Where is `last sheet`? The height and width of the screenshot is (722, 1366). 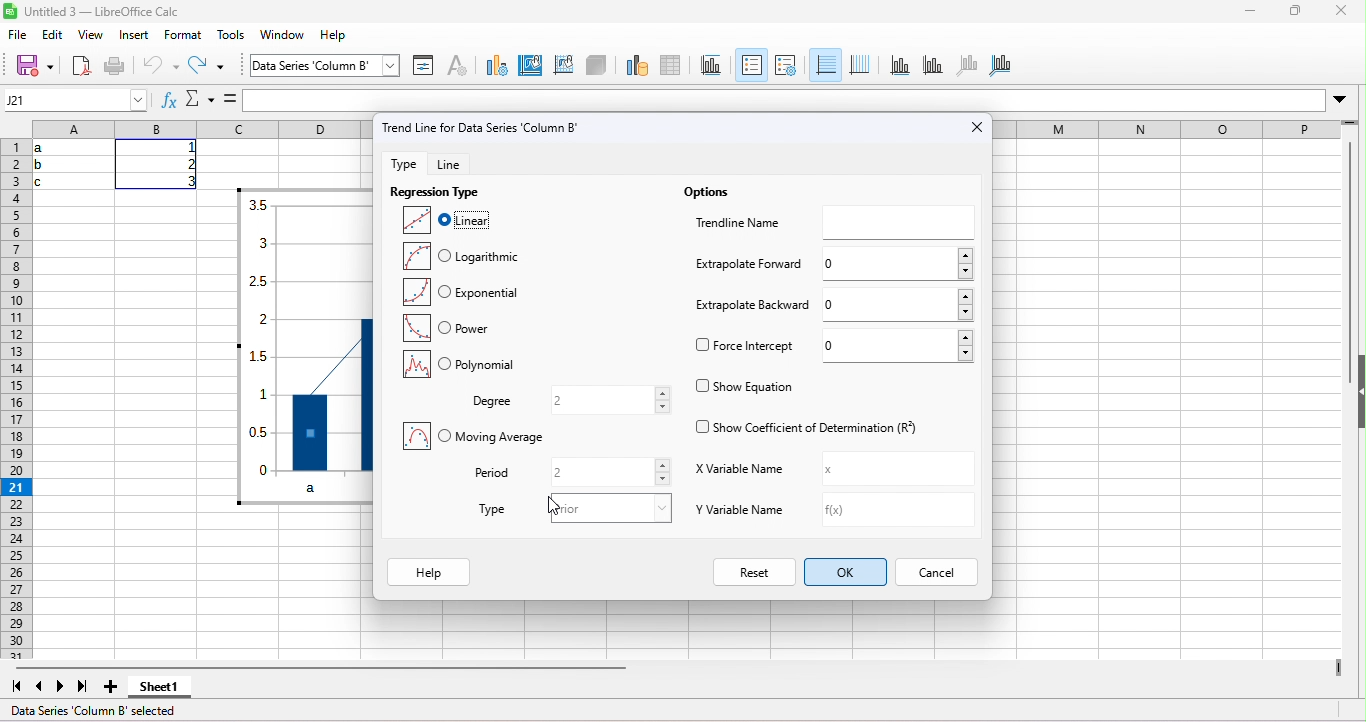
last sheet is located at coordinates (85, 689).